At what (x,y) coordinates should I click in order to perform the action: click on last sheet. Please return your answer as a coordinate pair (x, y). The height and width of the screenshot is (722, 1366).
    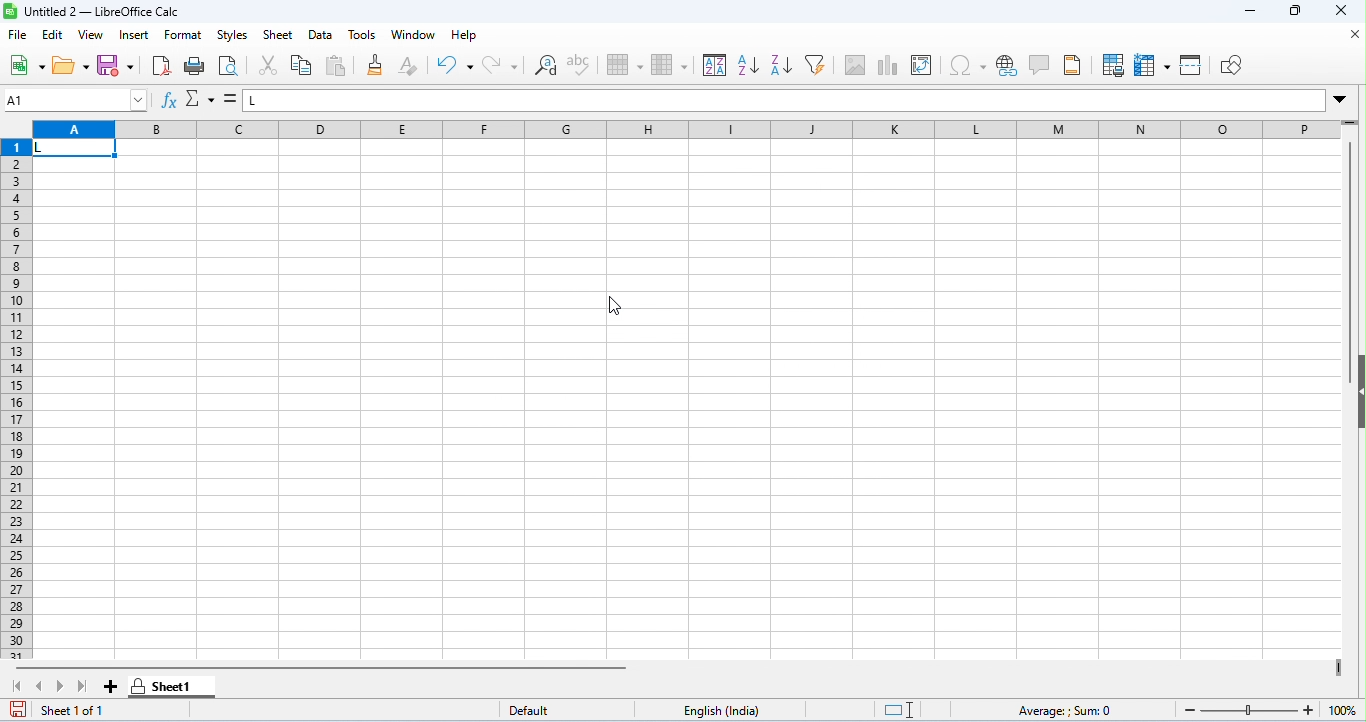
    Looking at the image, I should click on (83, 686).